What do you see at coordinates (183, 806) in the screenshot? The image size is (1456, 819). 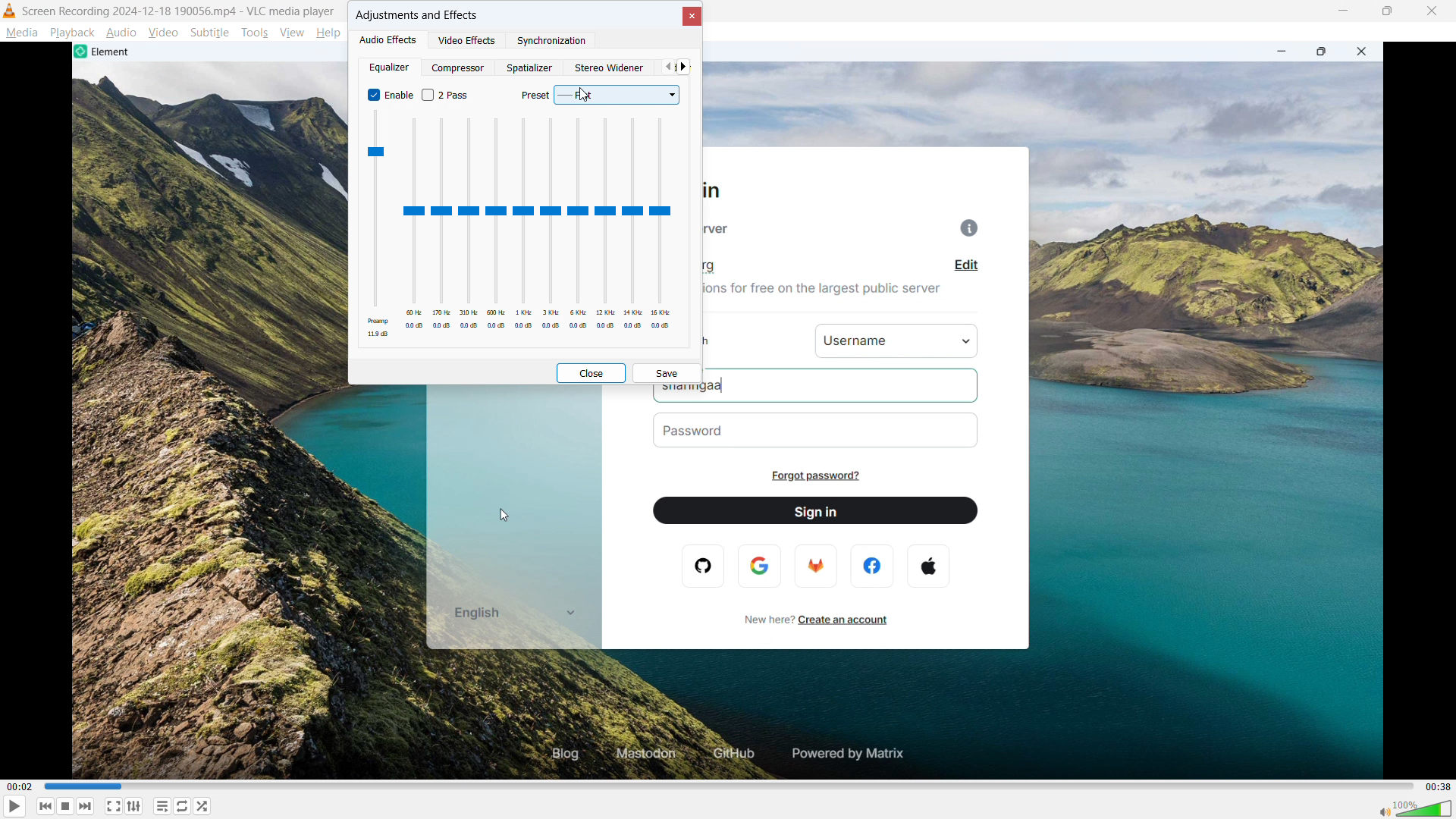 I see `Toggle between loop all, one loop and no loop` at bounding box center [183, 806].